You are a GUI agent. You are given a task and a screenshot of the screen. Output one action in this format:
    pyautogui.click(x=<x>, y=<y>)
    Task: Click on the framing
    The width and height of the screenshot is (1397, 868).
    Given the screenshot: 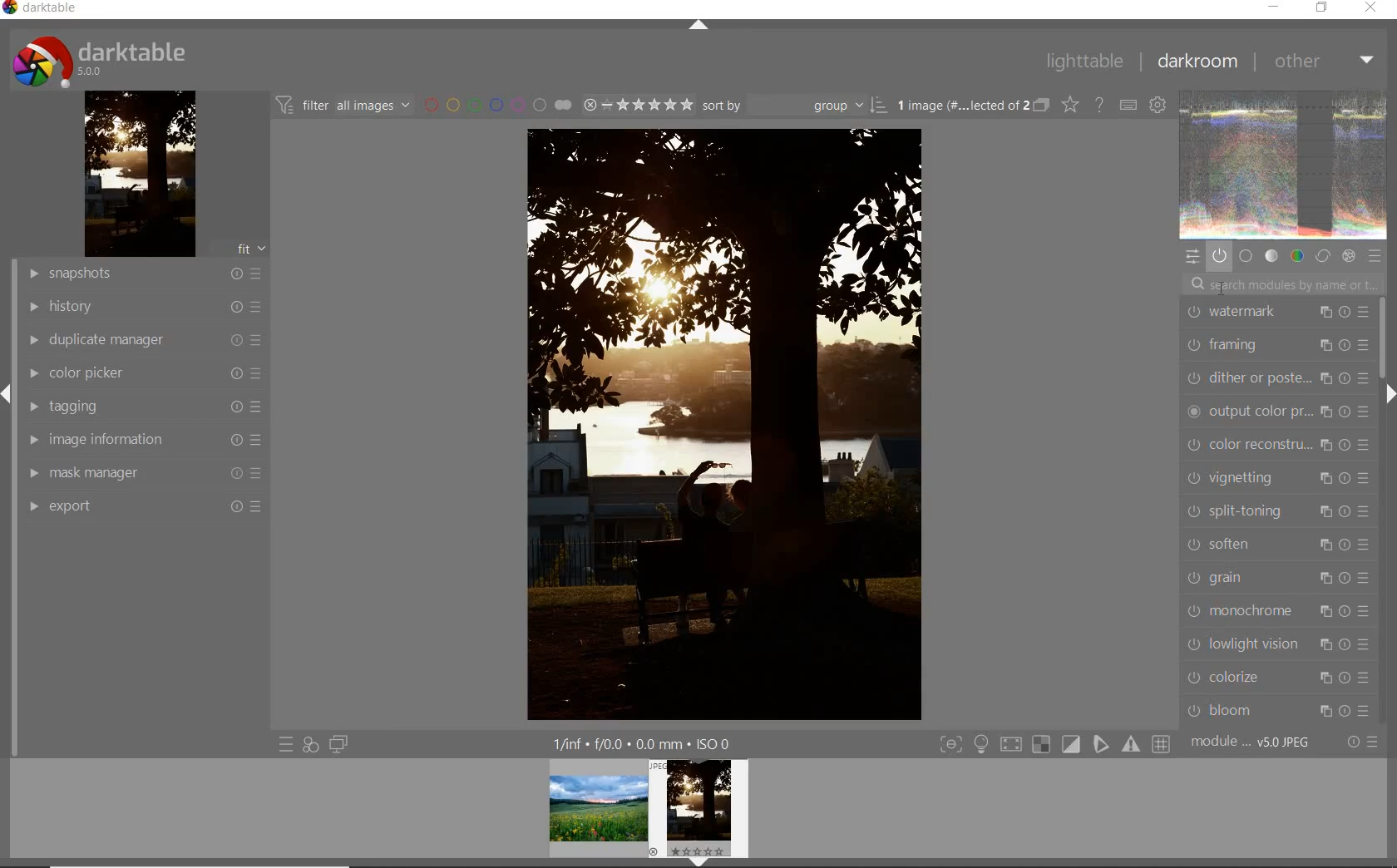 What is the action you would take?
    pyautogui.click(x=1276, y=342)
    